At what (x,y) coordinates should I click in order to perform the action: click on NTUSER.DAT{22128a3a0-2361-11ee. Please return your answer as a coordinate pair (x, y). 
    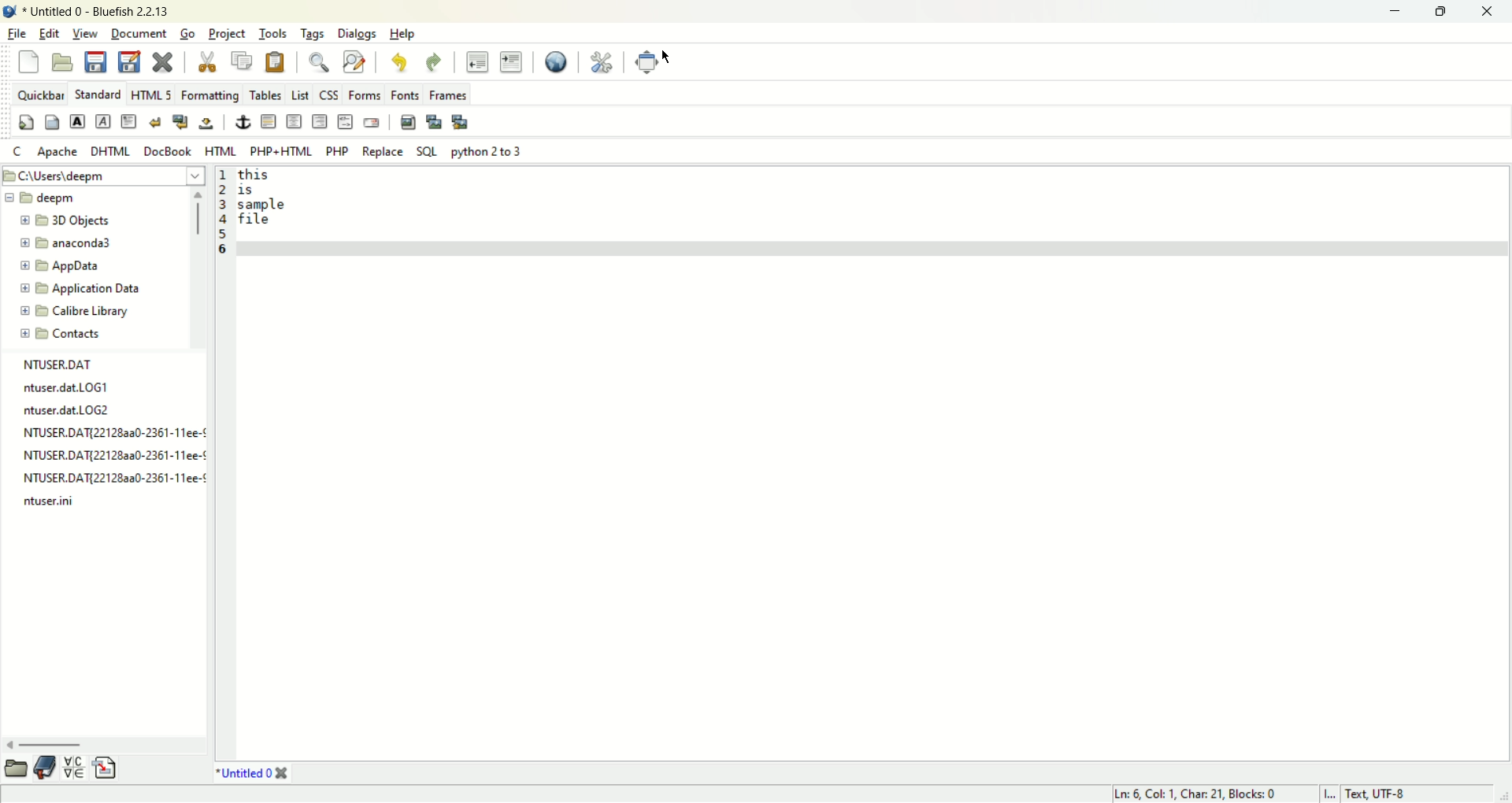
    Looking at the image, I should click on (114, 453).